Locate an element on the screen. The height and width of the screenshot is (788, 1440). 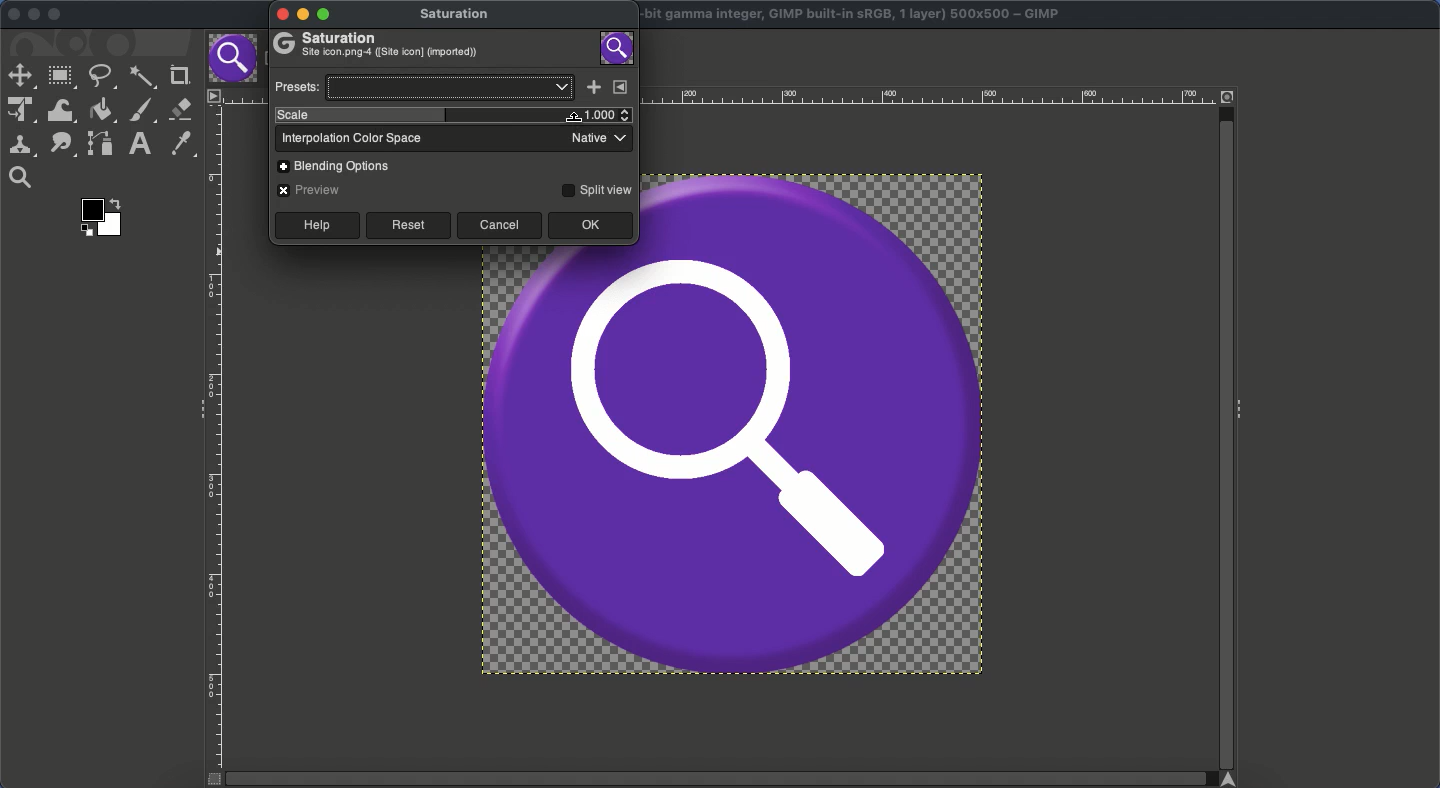
1.0 is located at coordinates (605, 114).